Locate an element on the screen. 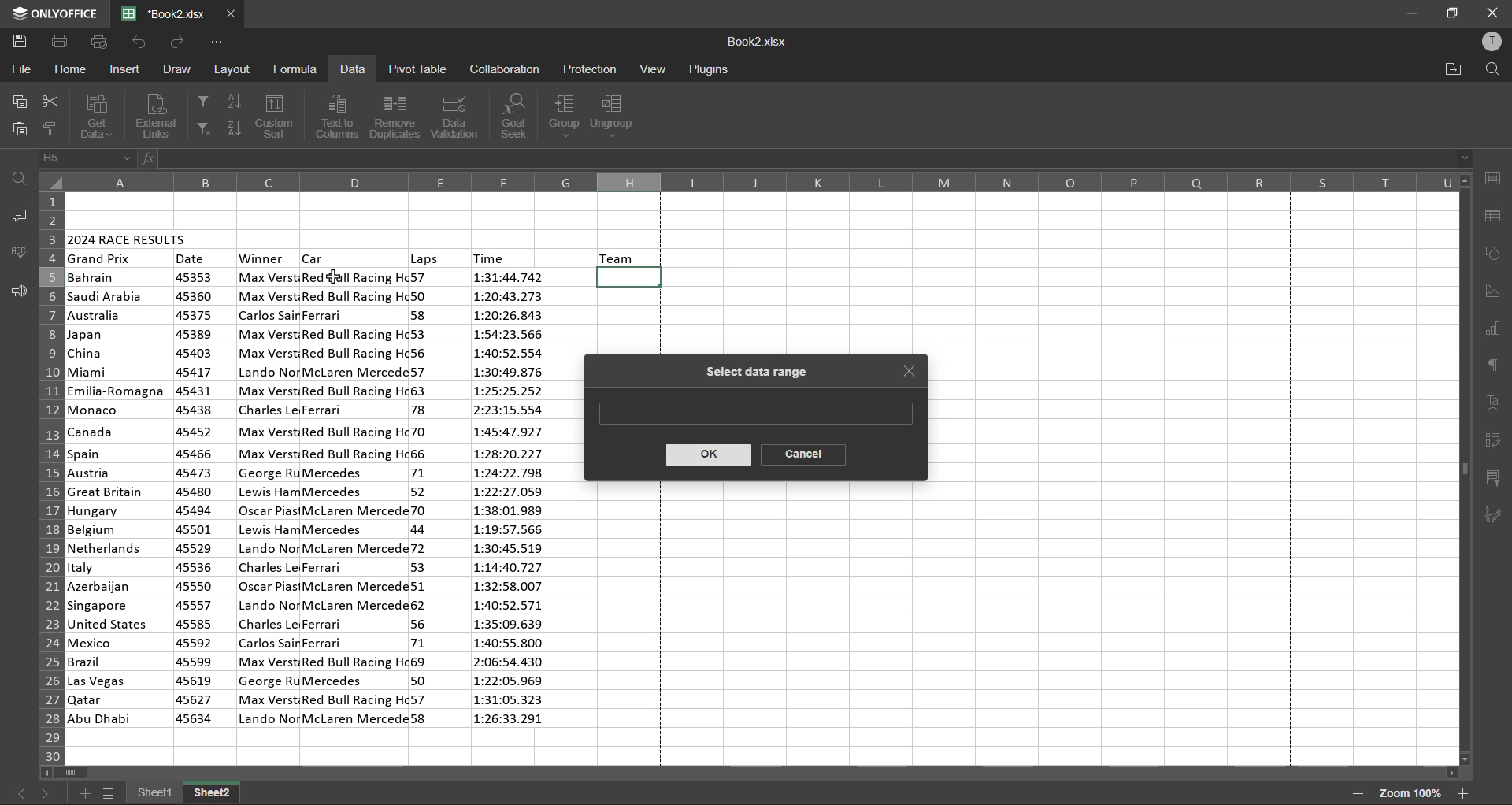  ungroup is located at coordinates (615, 117).